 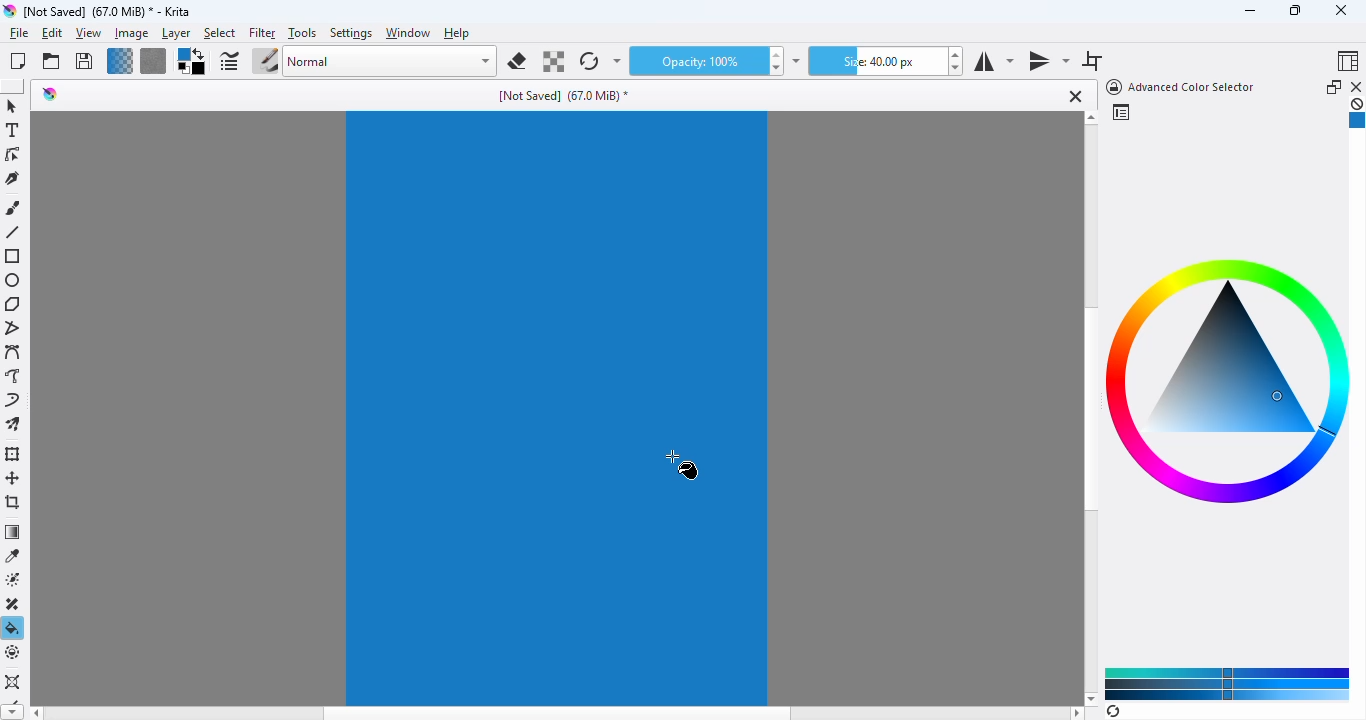 What do you see at coordinates (1120, 112) in the screenshot?
I see `color selector` at bounding box center [1120, 112].